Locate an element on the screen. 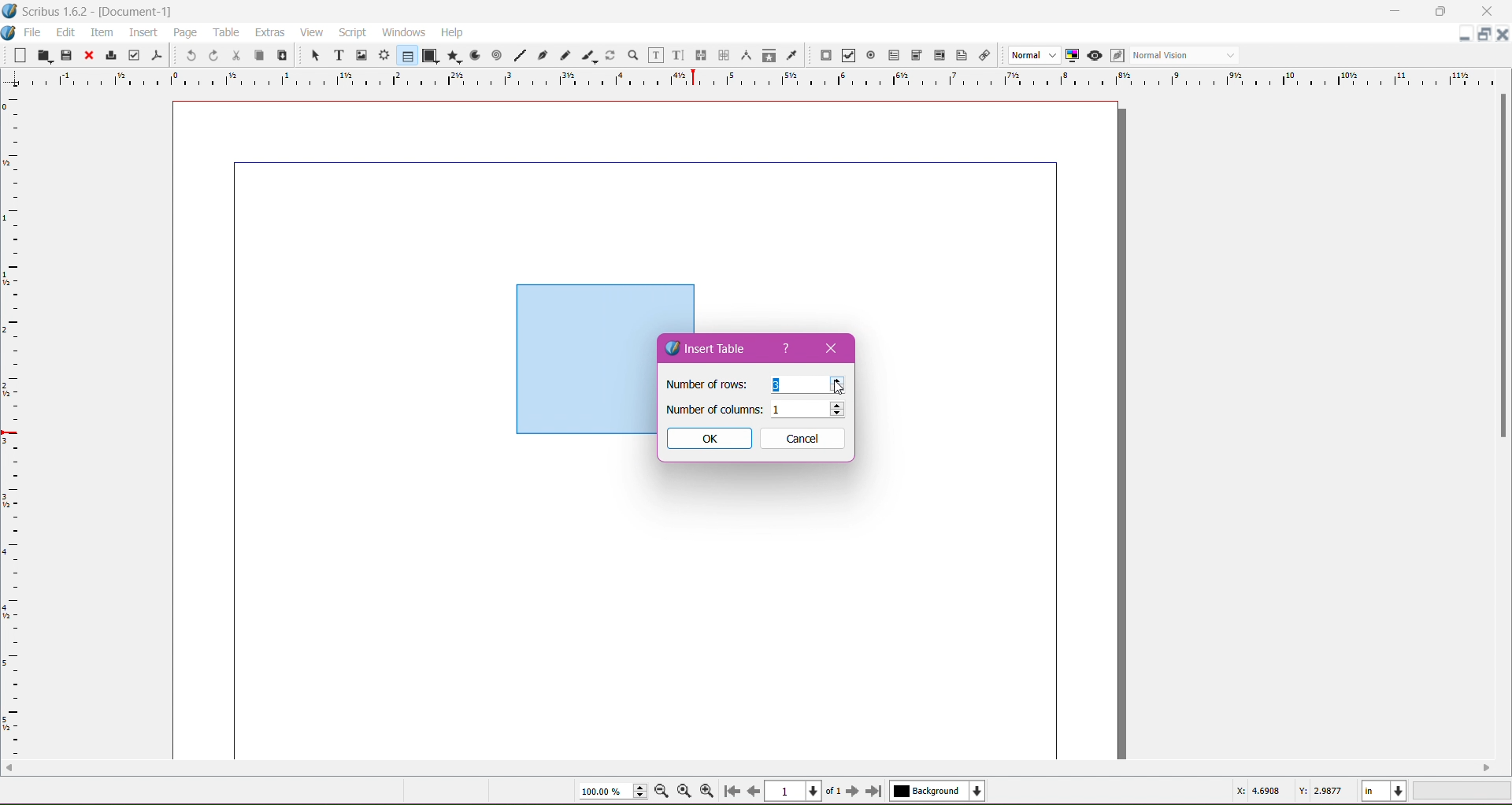 The width and height of the screenshot is (1512, 805). help is located at coordinates (788, 351).